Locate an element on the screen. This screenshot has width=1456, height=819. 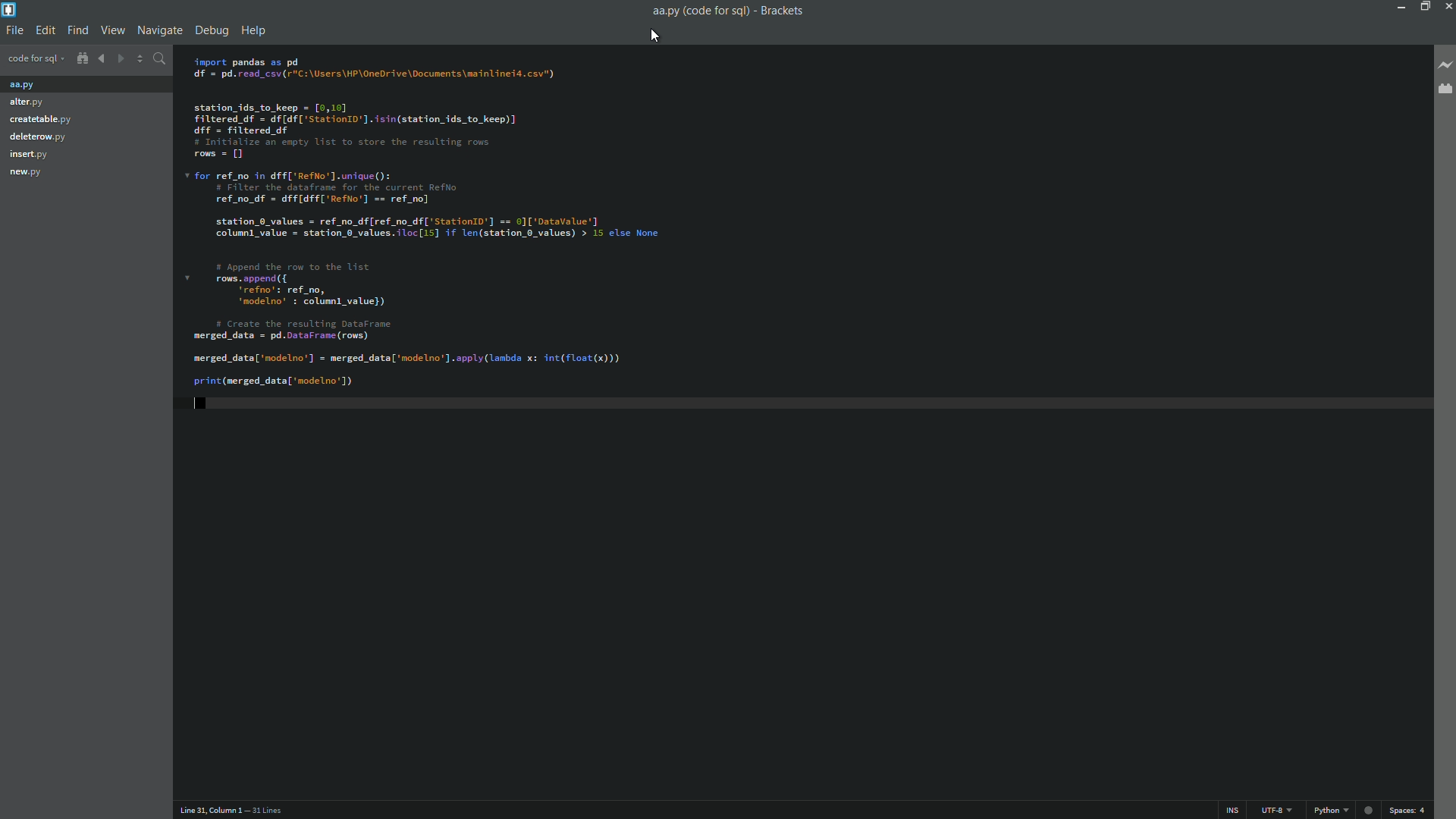
navigate forward is located at coordinates (124, 58).